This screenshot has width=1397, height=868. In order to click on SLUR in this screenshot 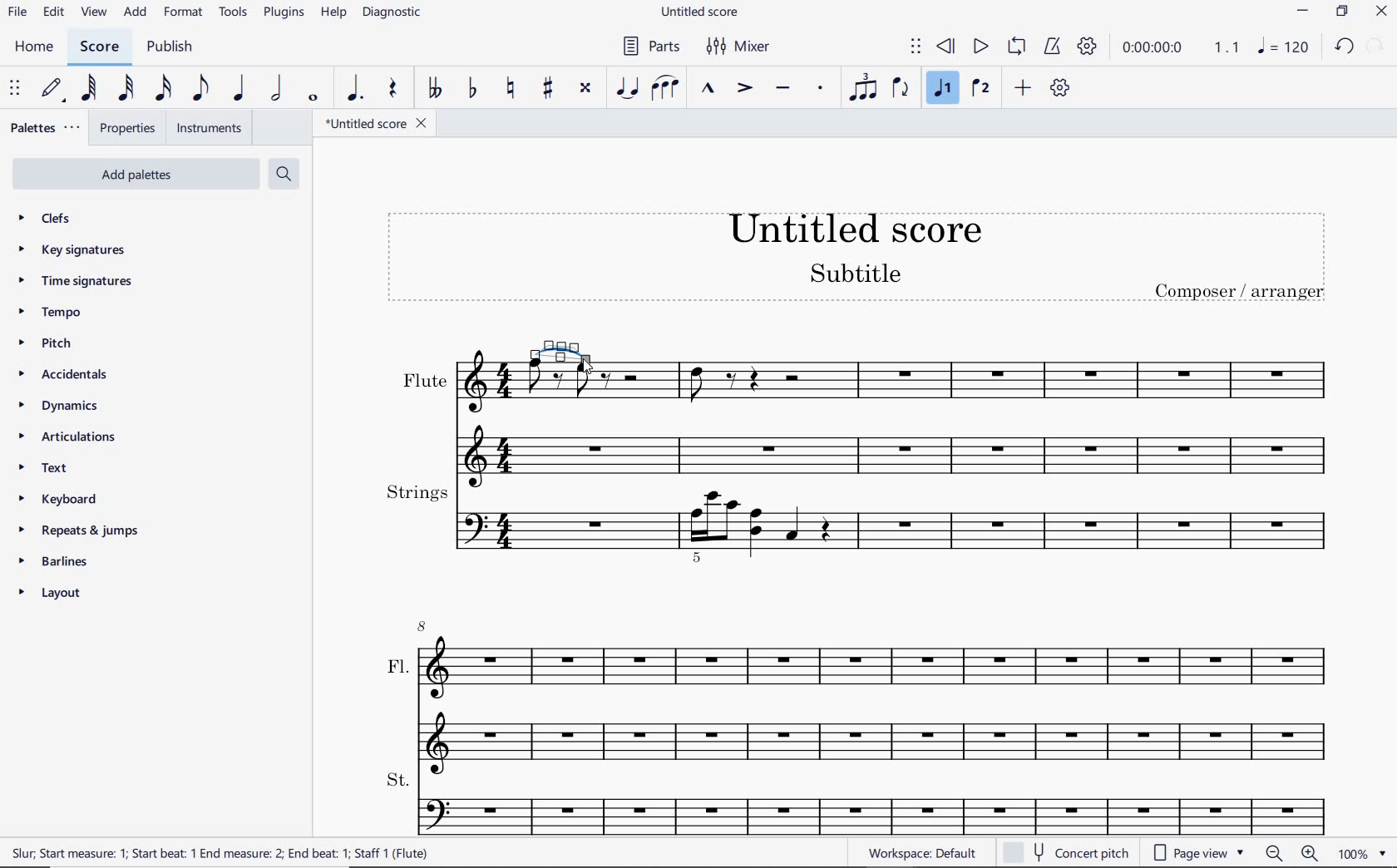, I will do `click(663, 89)`.